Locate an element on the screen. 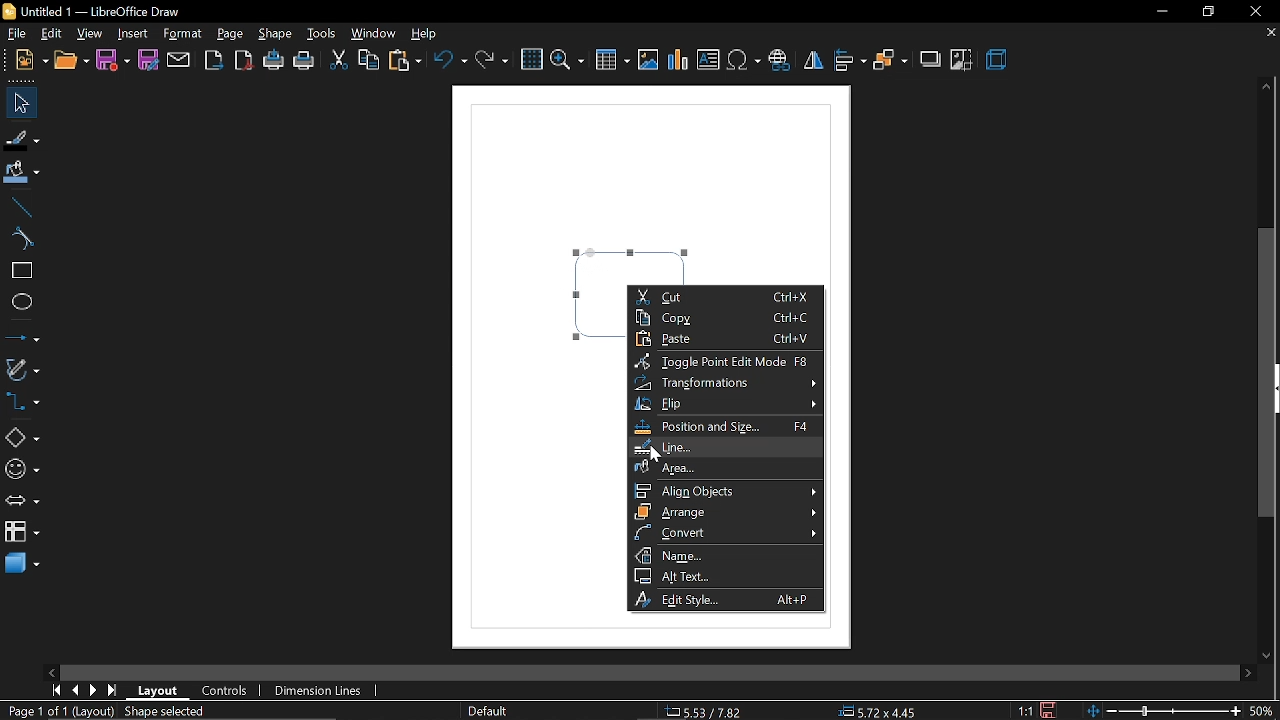 Image resolution: width=1280 pixels, height=720 pixels. current zoom is located at coordinates (1262, 712).